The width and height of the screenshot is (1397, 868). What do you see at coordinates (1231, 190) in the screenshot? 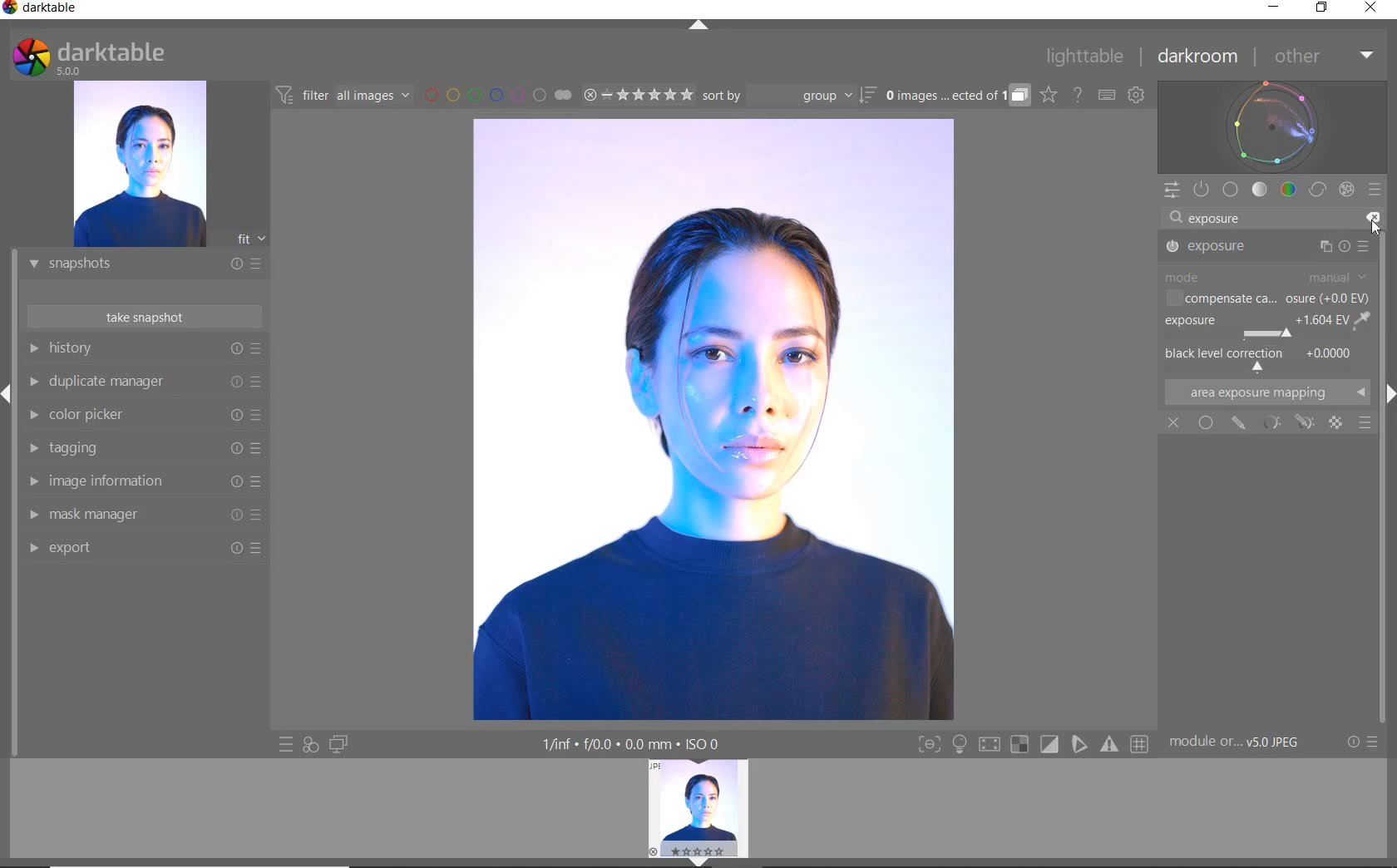
I see `BASE` at bounding box center [1231, 190].